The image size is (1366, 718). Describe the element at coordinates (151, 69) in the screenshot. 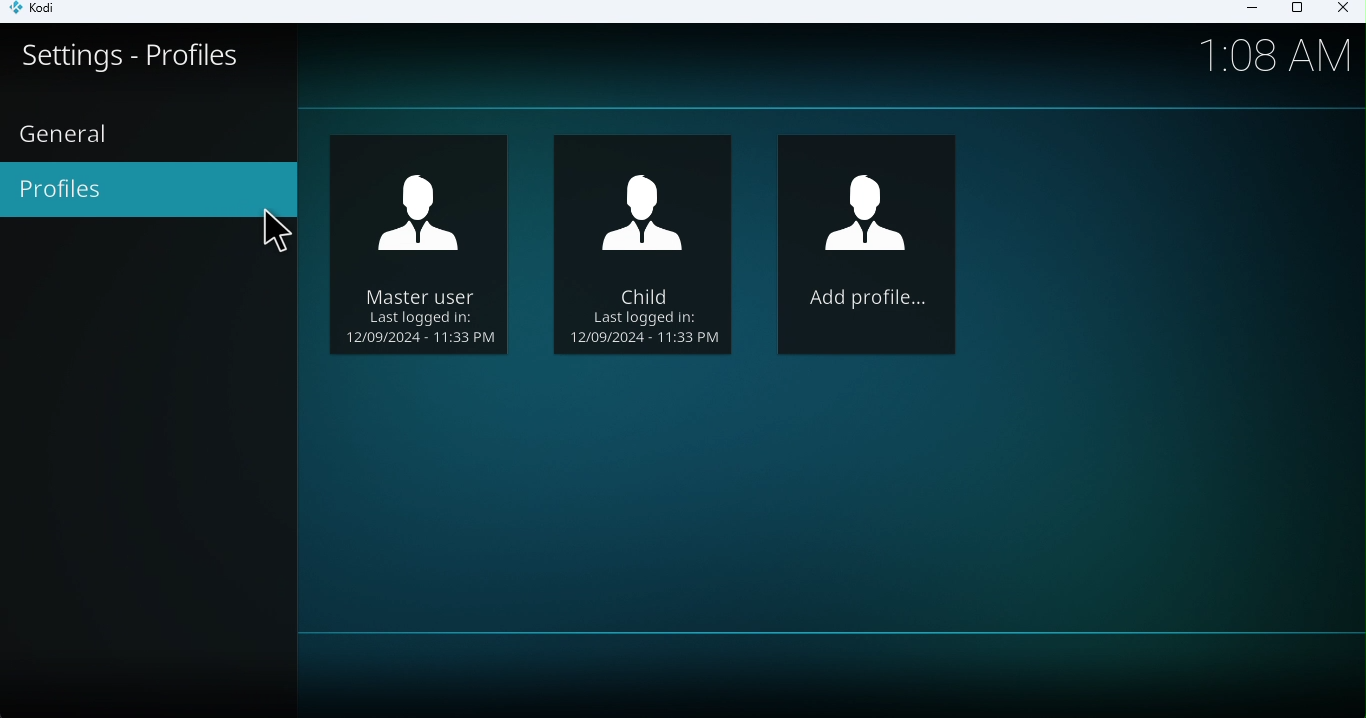

I see `Settings-profile` at that location.